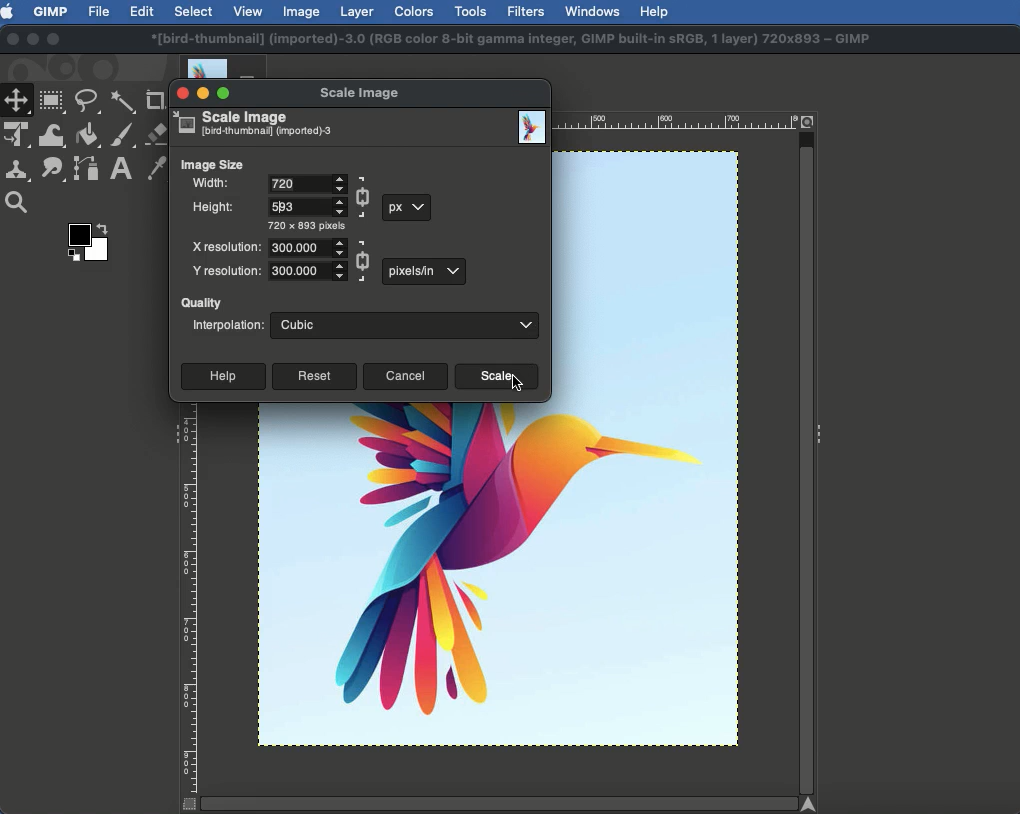 This screenshot has height=814, width=1020. Describe the element at coordinates (54, 40) in the screenshot. I see `Maximize` at that location.